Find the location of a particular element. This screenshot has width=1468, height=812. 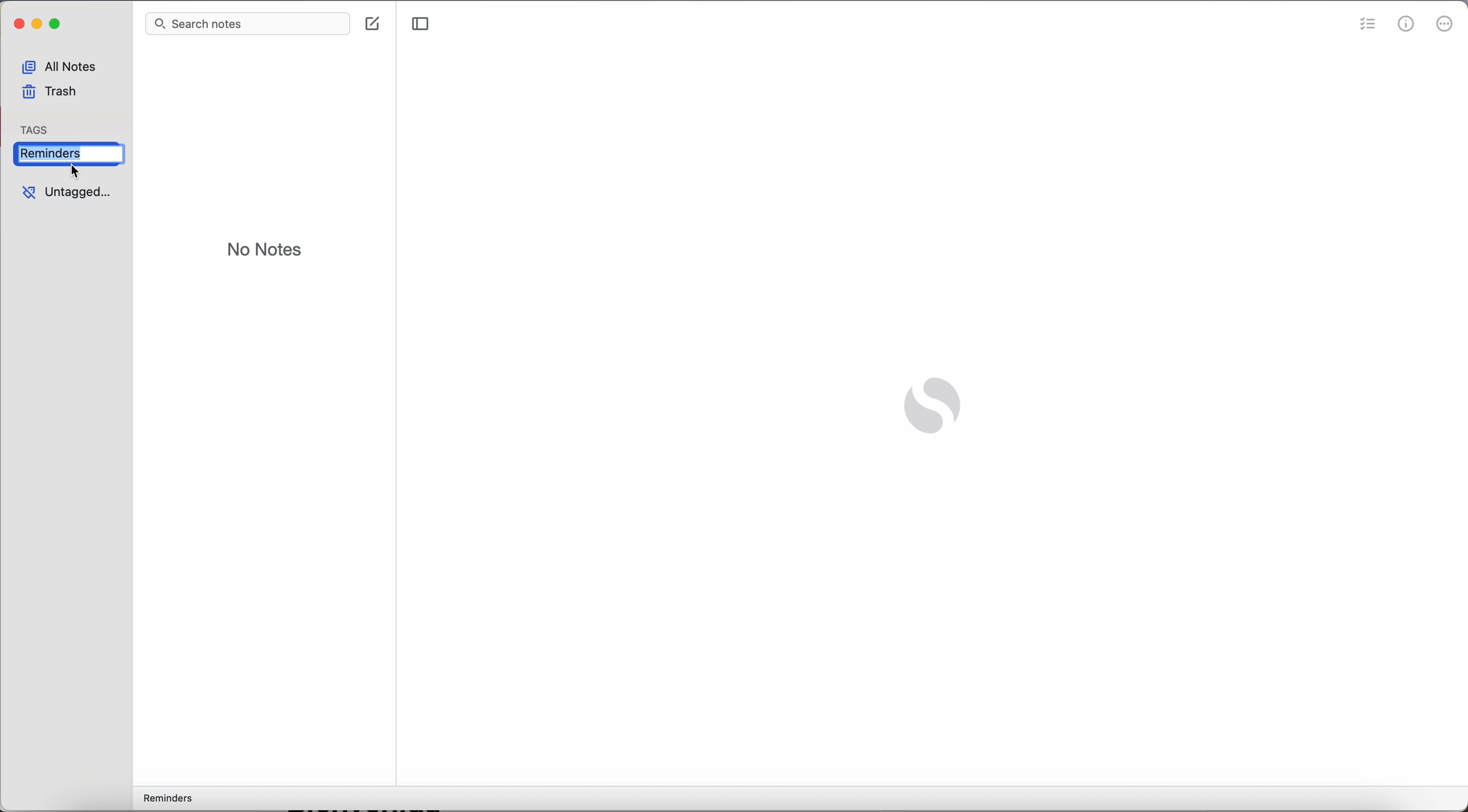

create note is located at coordinates (374, 24).